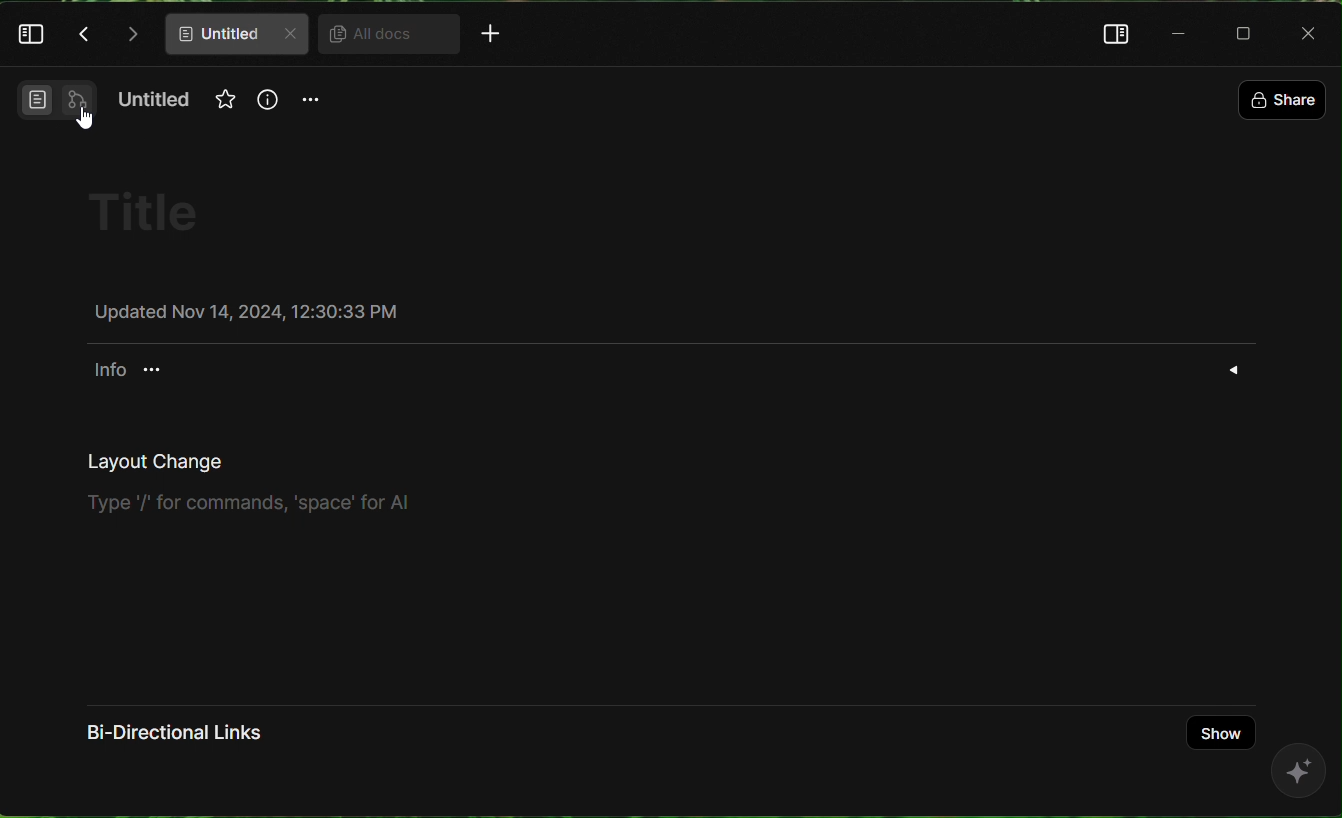 This screenshot has width=1342, height=818. Describe the element at coordinates (33, 39) in the screenshot. I see `Left panel` at that location.